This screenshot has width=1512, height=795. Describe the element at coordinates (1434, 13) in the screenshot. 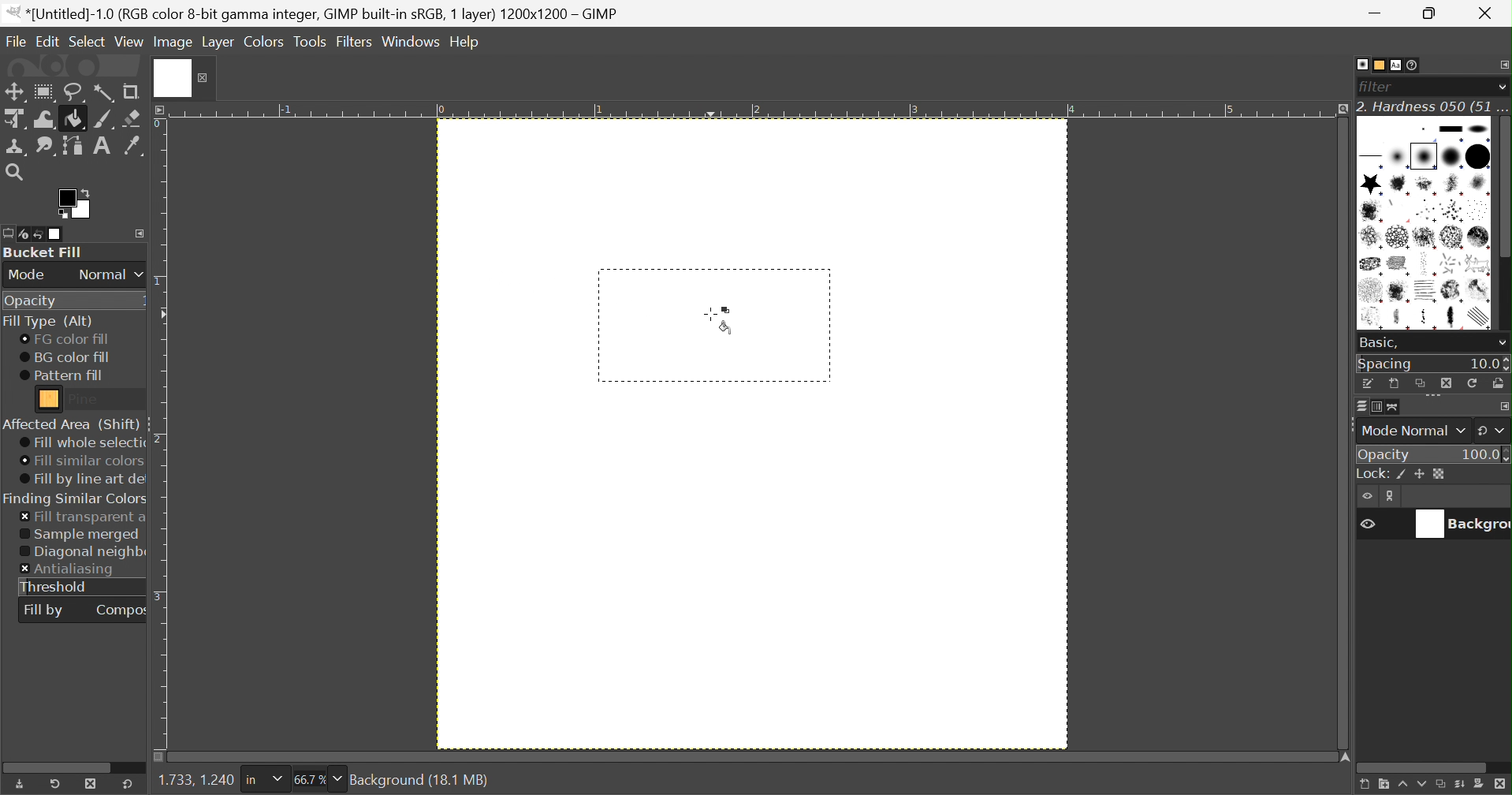

I see `Restore Down` at that location.